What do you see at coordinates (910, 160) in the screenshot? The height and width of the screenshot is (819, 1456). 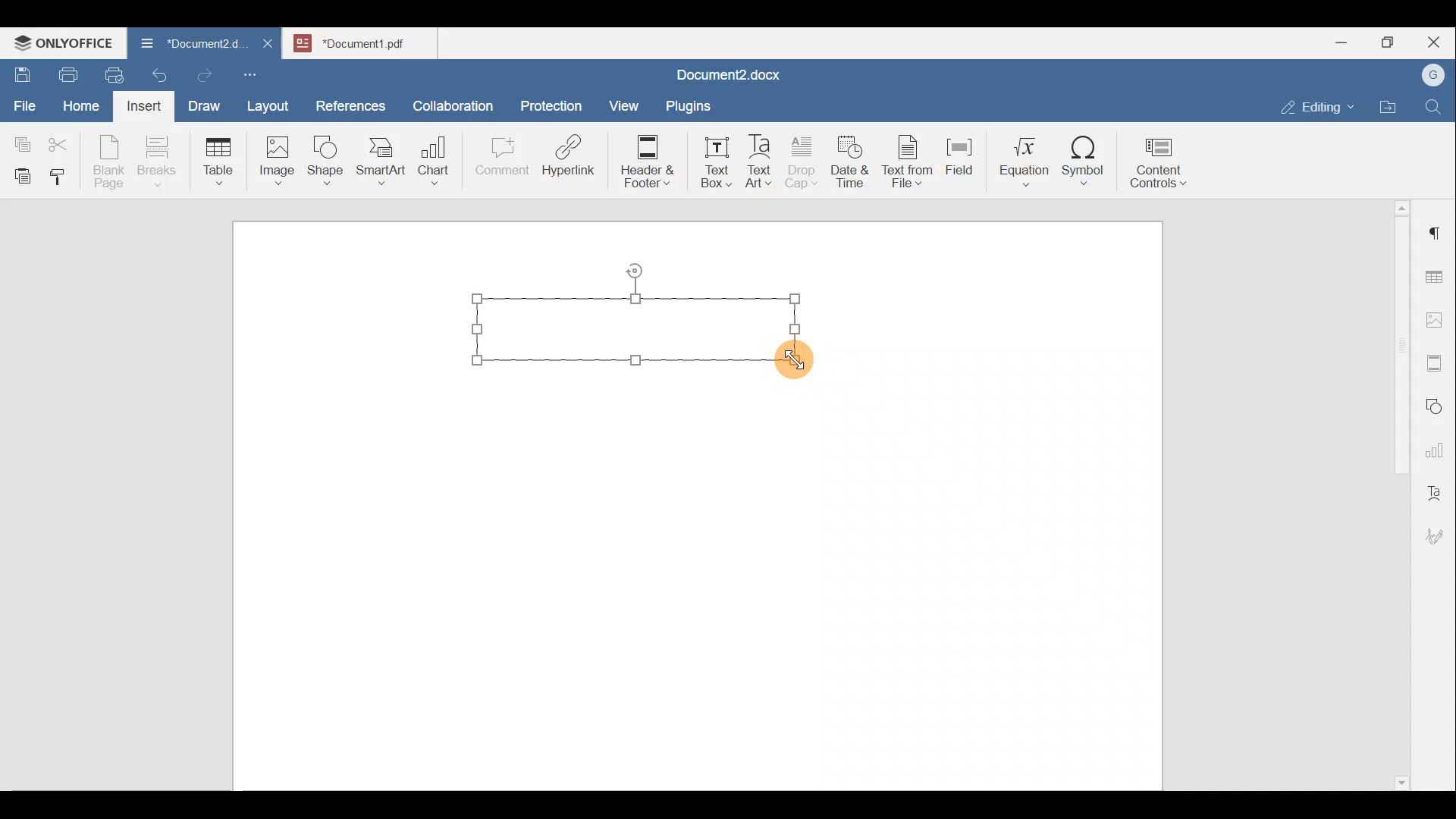 I see `Text from file` at bounding box center [910, 160].